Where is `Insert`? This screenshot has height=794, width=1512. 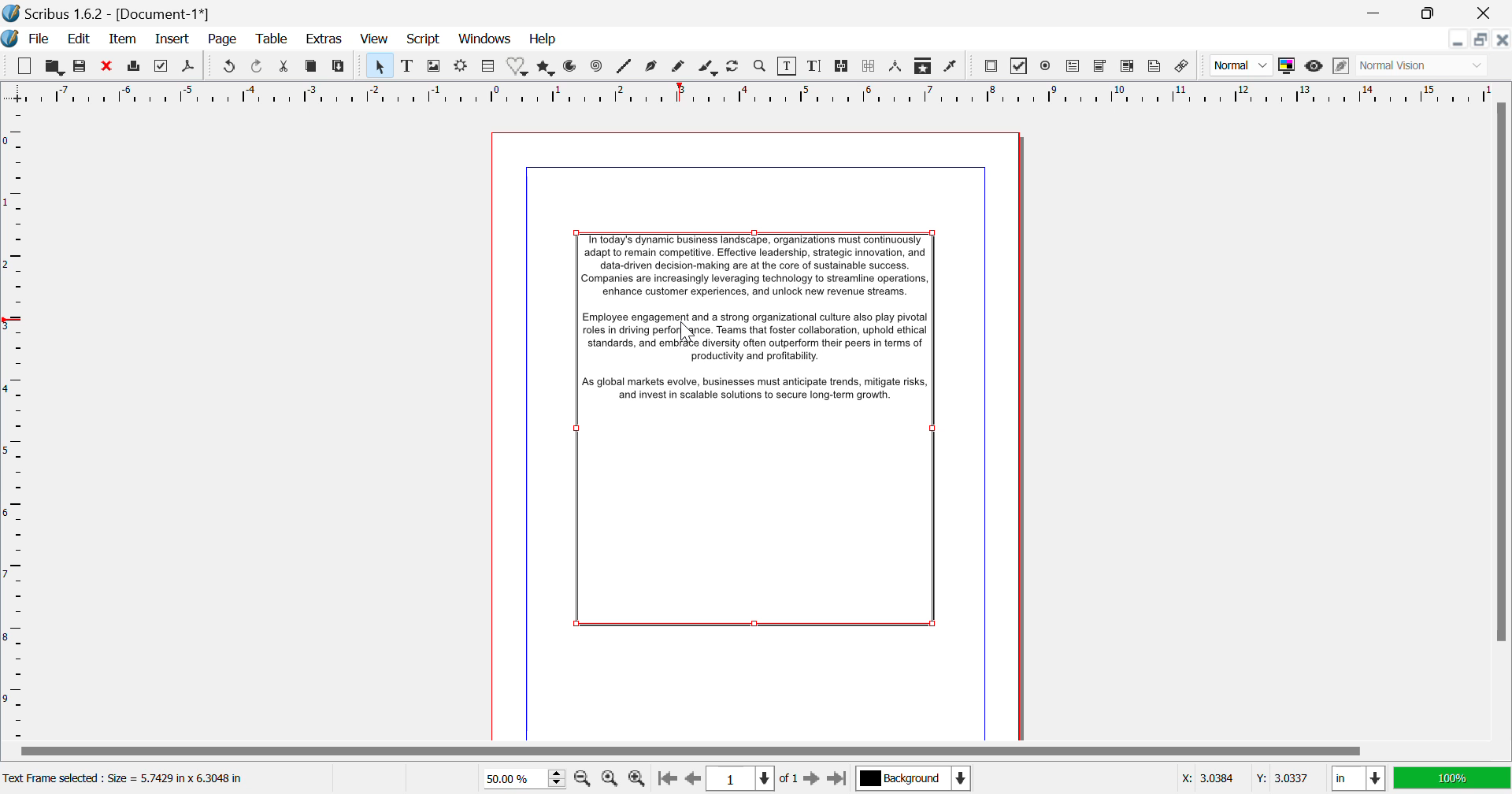 Insert is located at coordinates (174, 39).